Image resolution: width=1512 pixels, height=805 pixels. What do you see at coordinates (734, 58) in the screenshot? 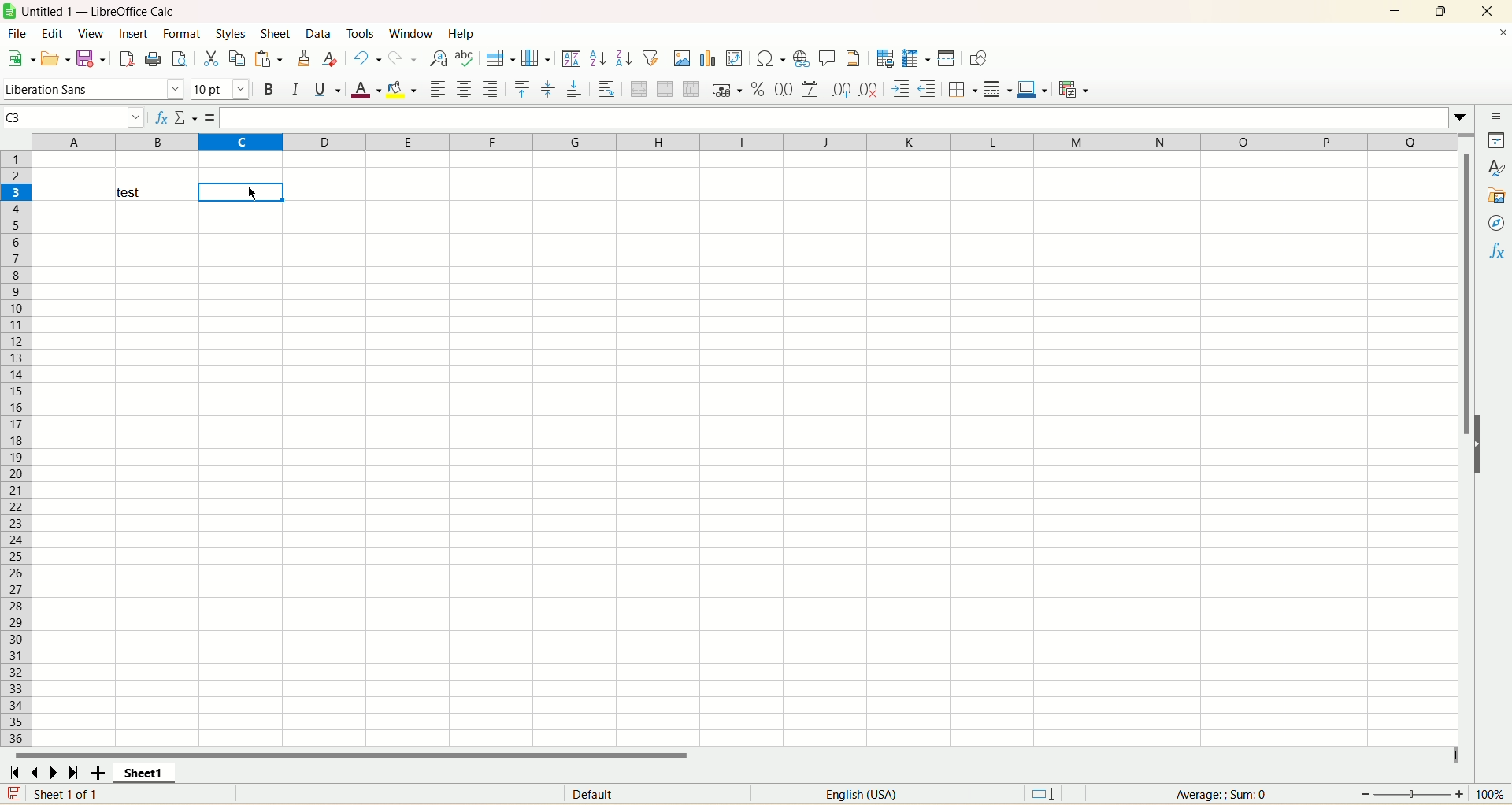
I see `pivot table` at bounding box center [734, 58].